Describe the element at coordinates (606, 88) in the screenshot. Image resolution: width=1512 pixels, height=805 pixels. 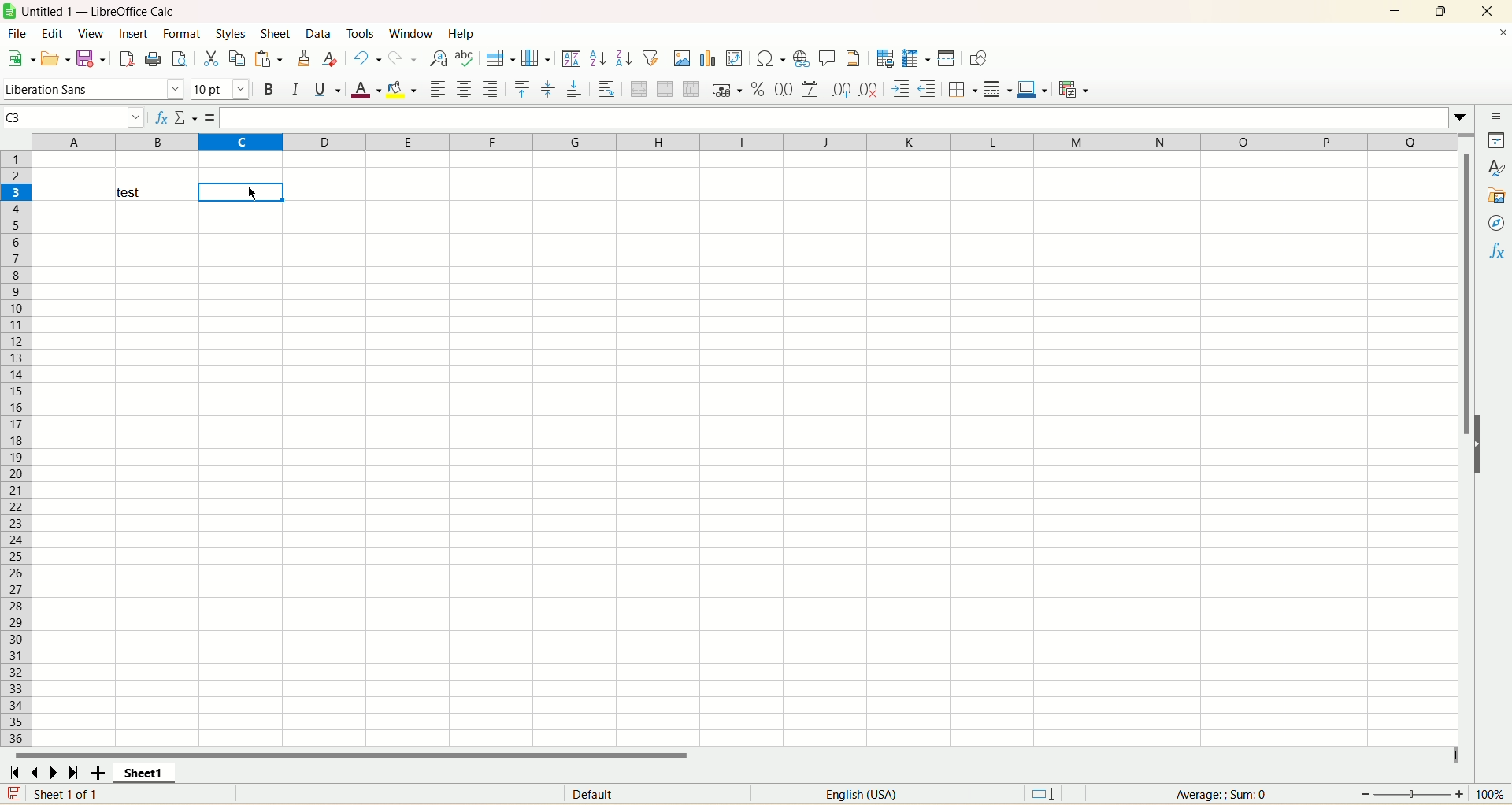
I see `wrap text` at that location.